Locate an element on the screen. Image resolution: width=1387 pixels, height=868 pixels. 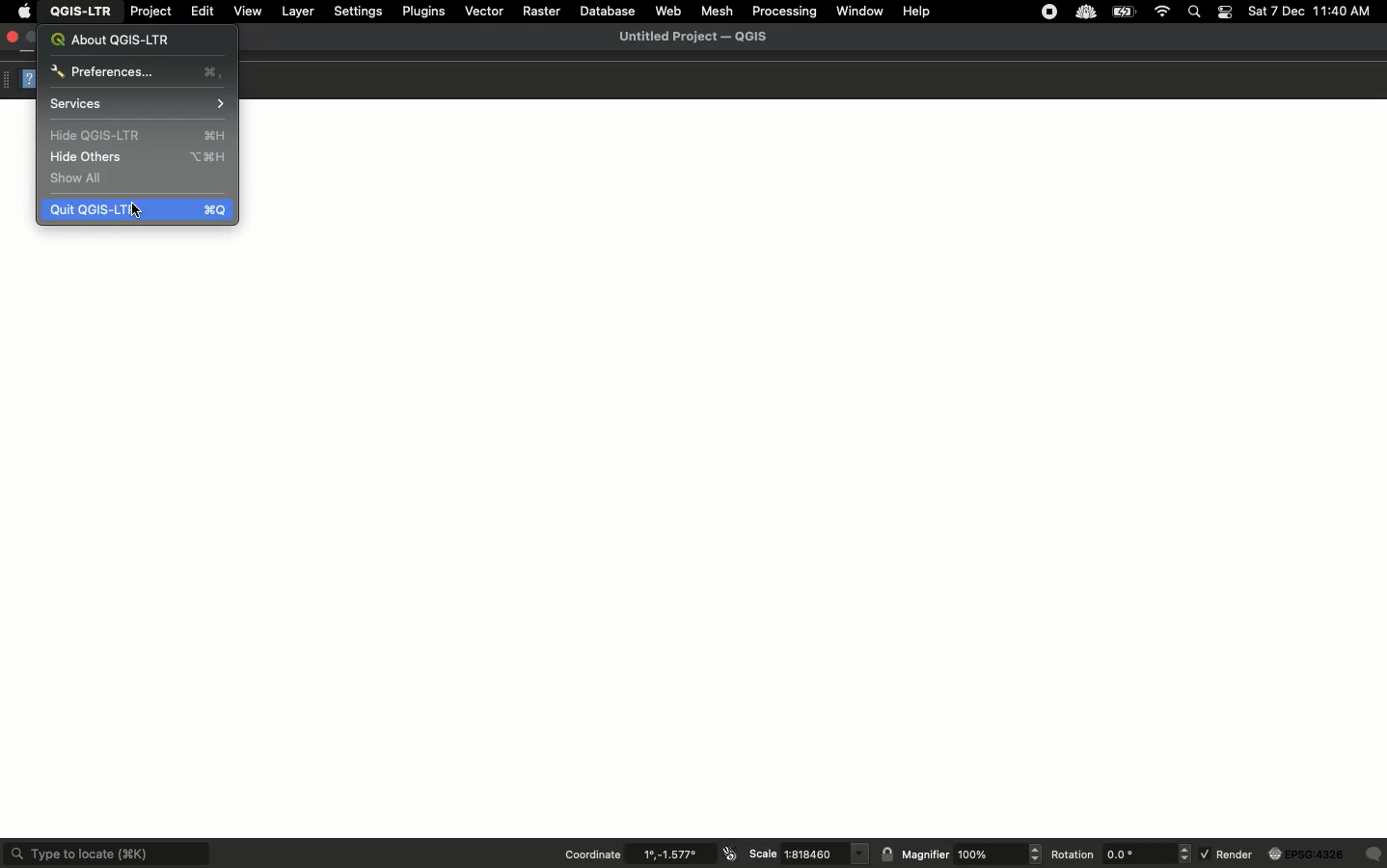
Cursor is located at coordinates (133, 209).